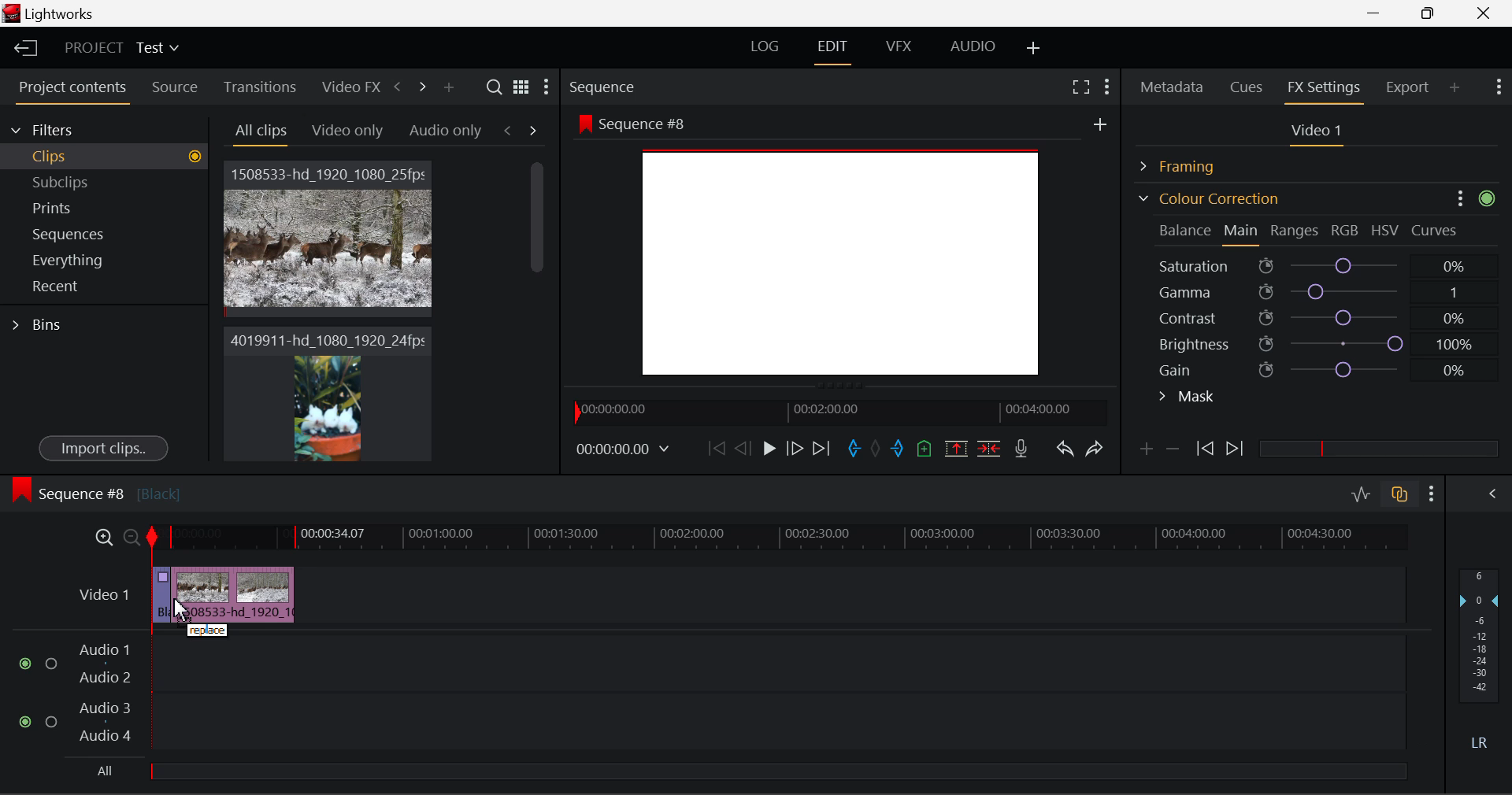  What do you see at coordinates (340, 131) in the screenshot?
I see `Yesterday Tab` at bounding box center [340, 131].